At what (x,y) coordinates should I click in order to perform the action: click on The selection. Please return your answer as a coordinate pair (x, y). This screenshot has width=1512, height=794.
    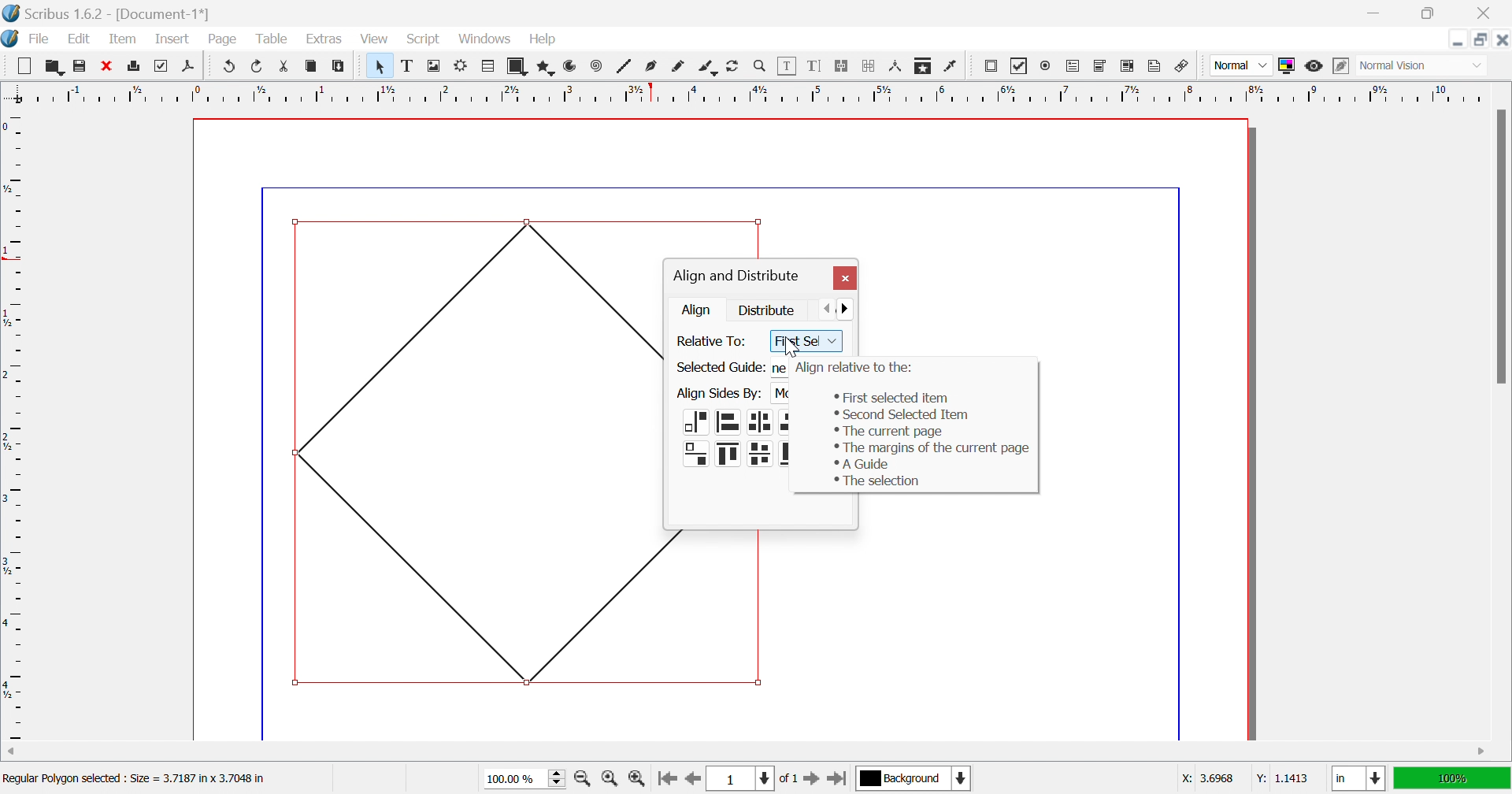
    Looking at the image, I should click on (876, 481).